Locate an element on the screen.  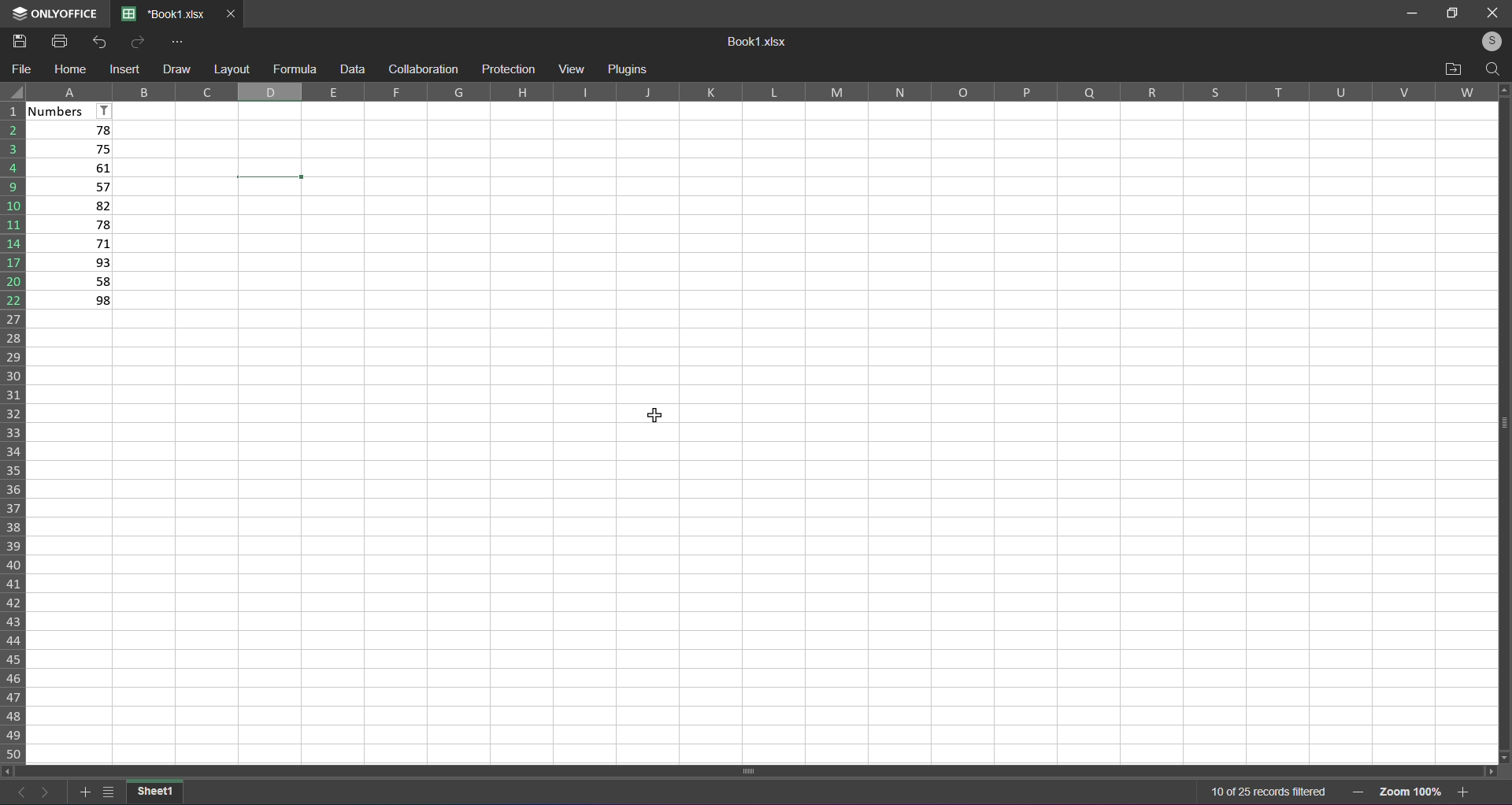
Column Labels is located at coordinates (767, 92).